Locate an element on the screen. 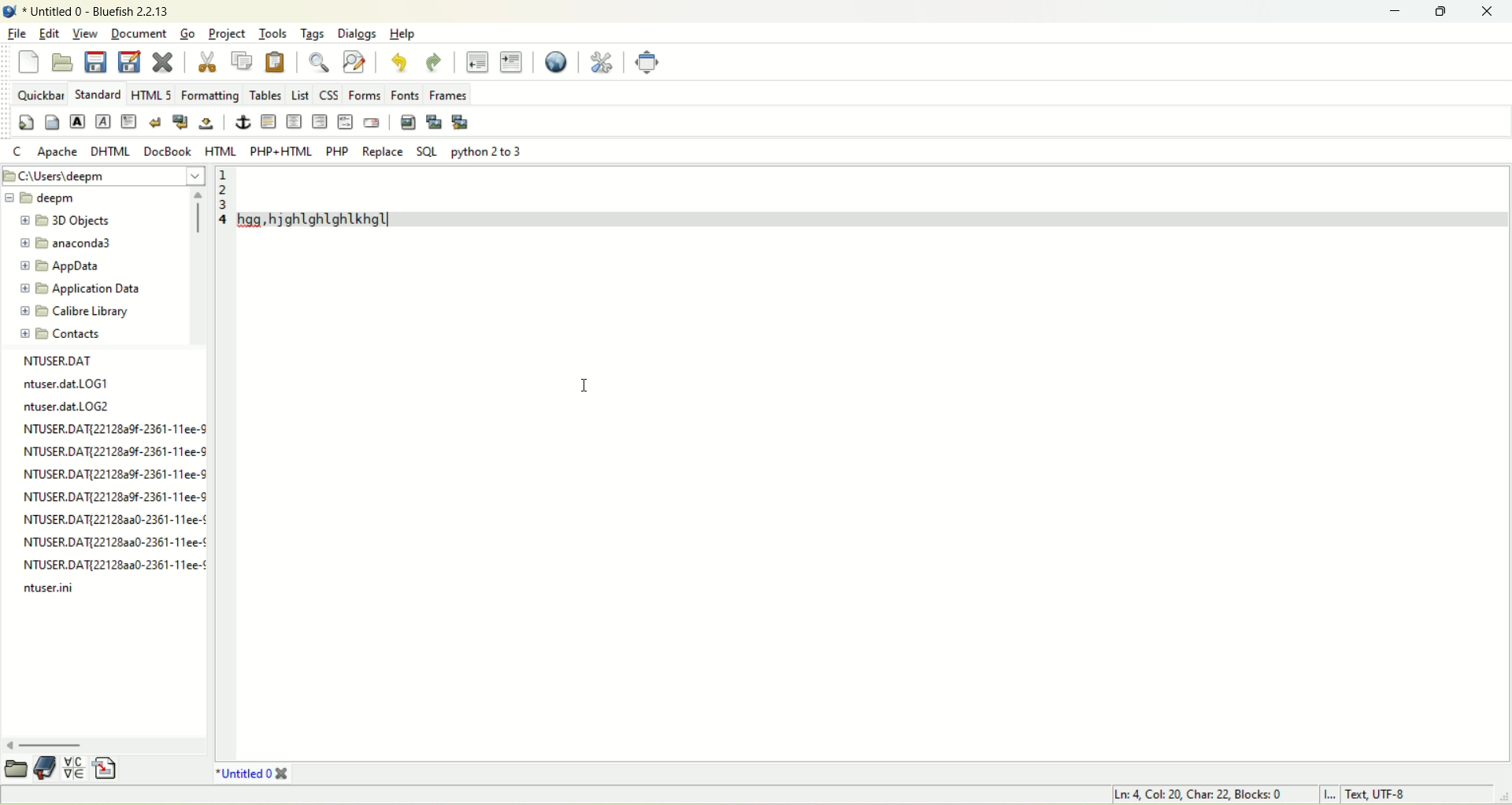  strong is located at coordinates (79, 121).